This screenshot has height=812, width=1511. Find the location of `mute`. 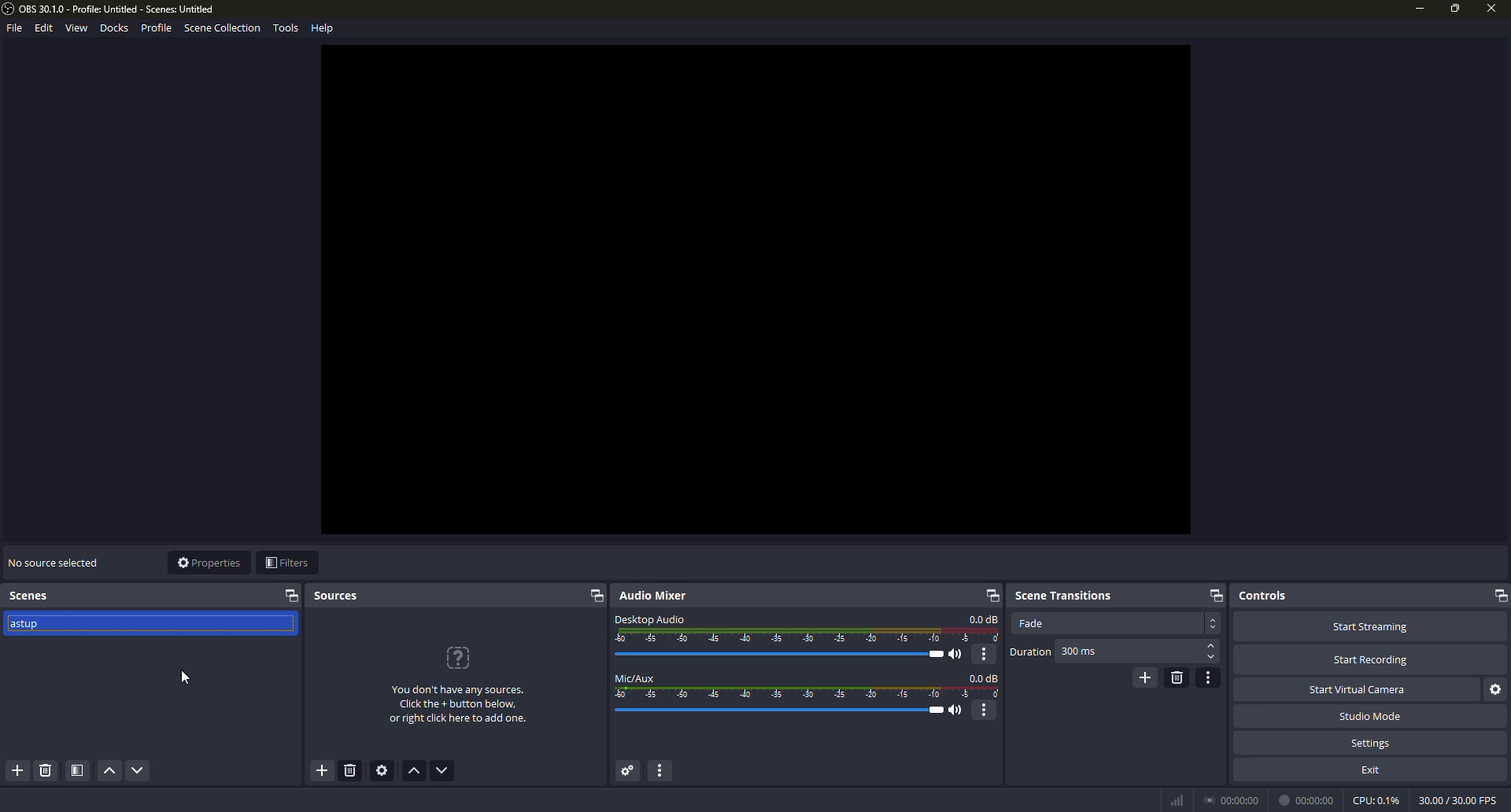

mute is located at coordinates (958, 710).